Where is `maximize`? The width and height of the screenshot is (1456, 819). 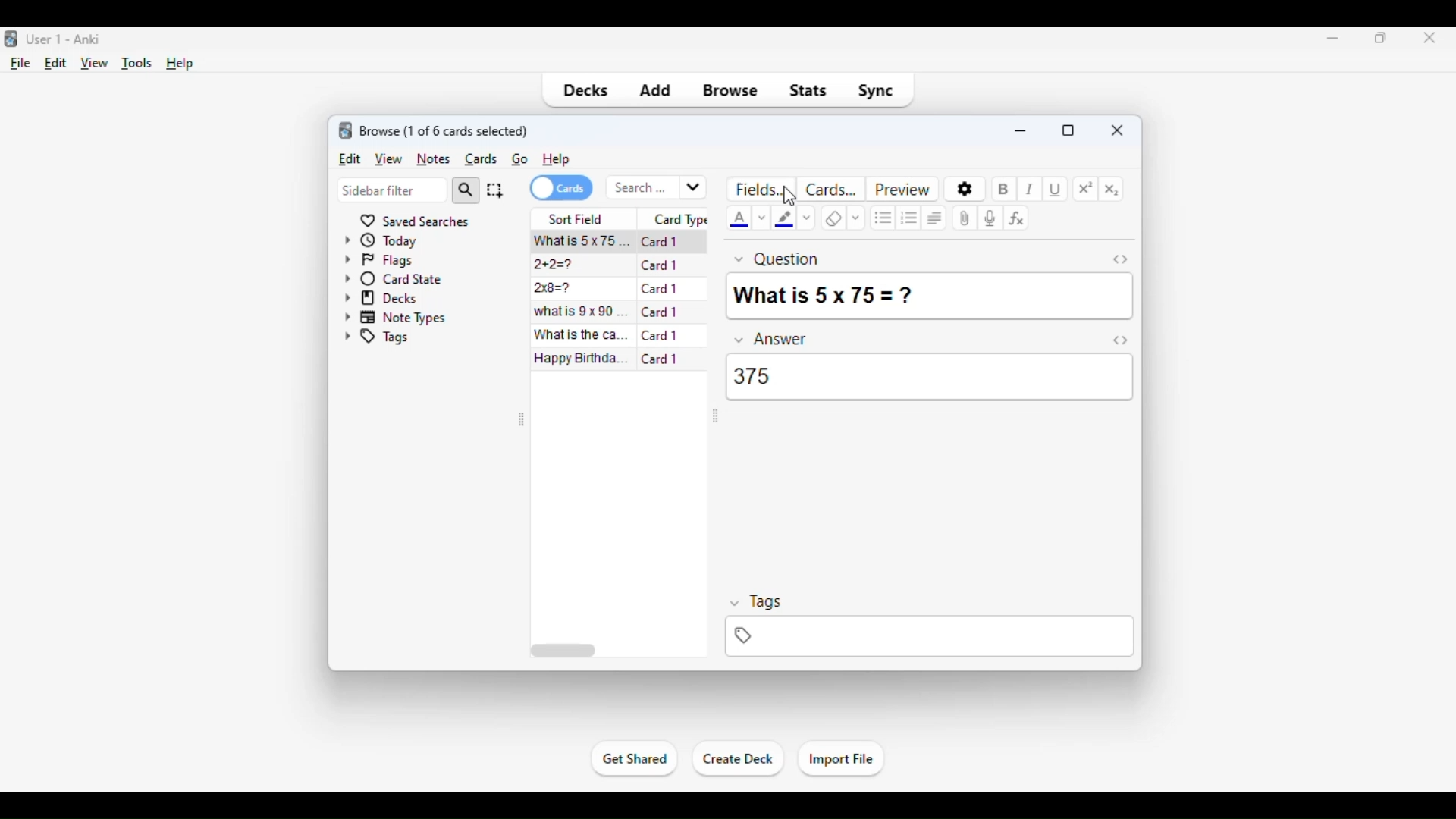
maximize is located at coordinates (1068, 130).